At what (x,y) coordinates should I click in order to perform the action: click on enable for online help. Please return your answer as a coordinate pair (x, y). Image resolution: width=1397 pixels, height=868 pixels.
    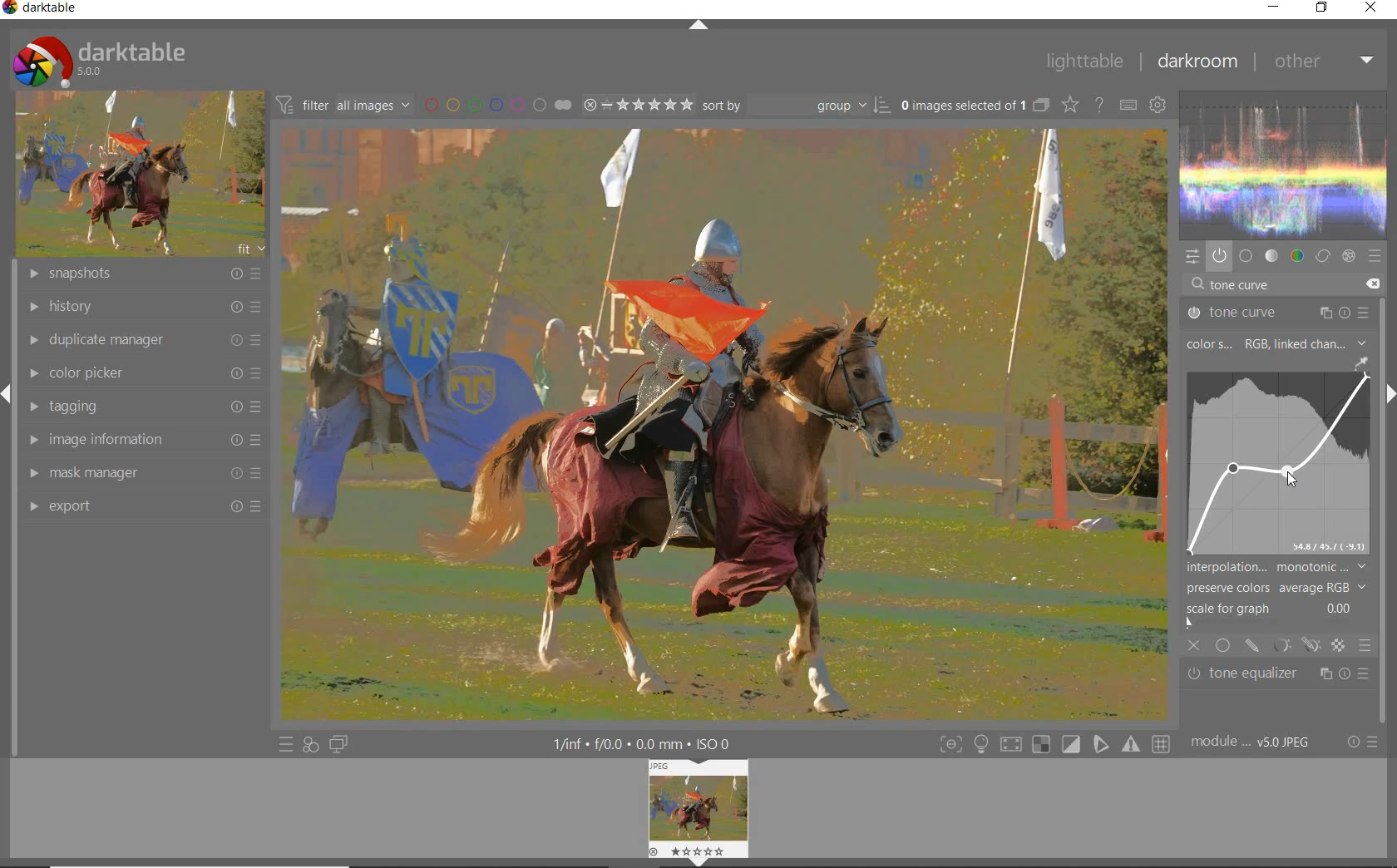
    Looking at the image, I should click on (1099, 107).